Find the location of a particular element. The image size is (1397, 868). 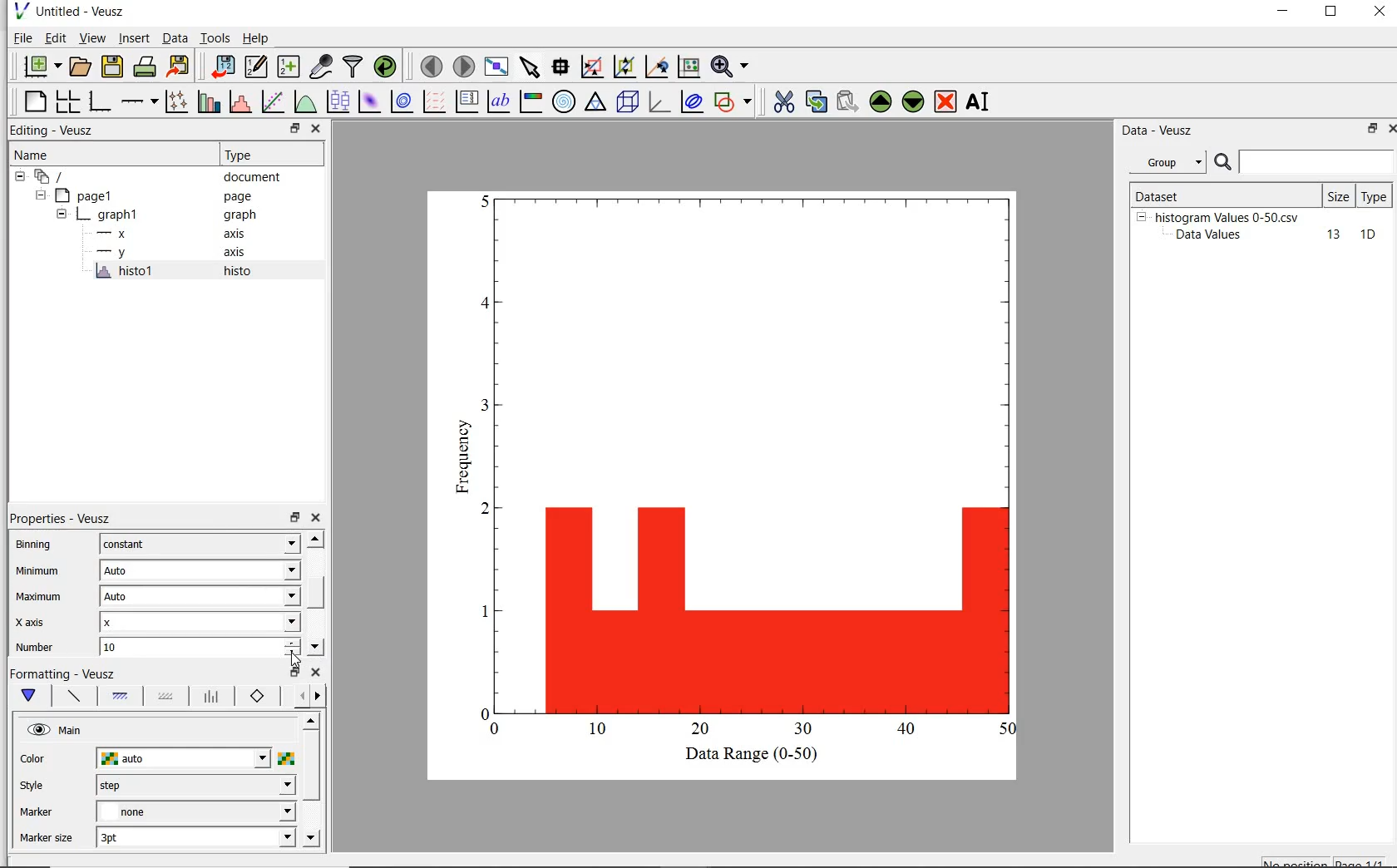

close is located at coordinates (1389, 131).